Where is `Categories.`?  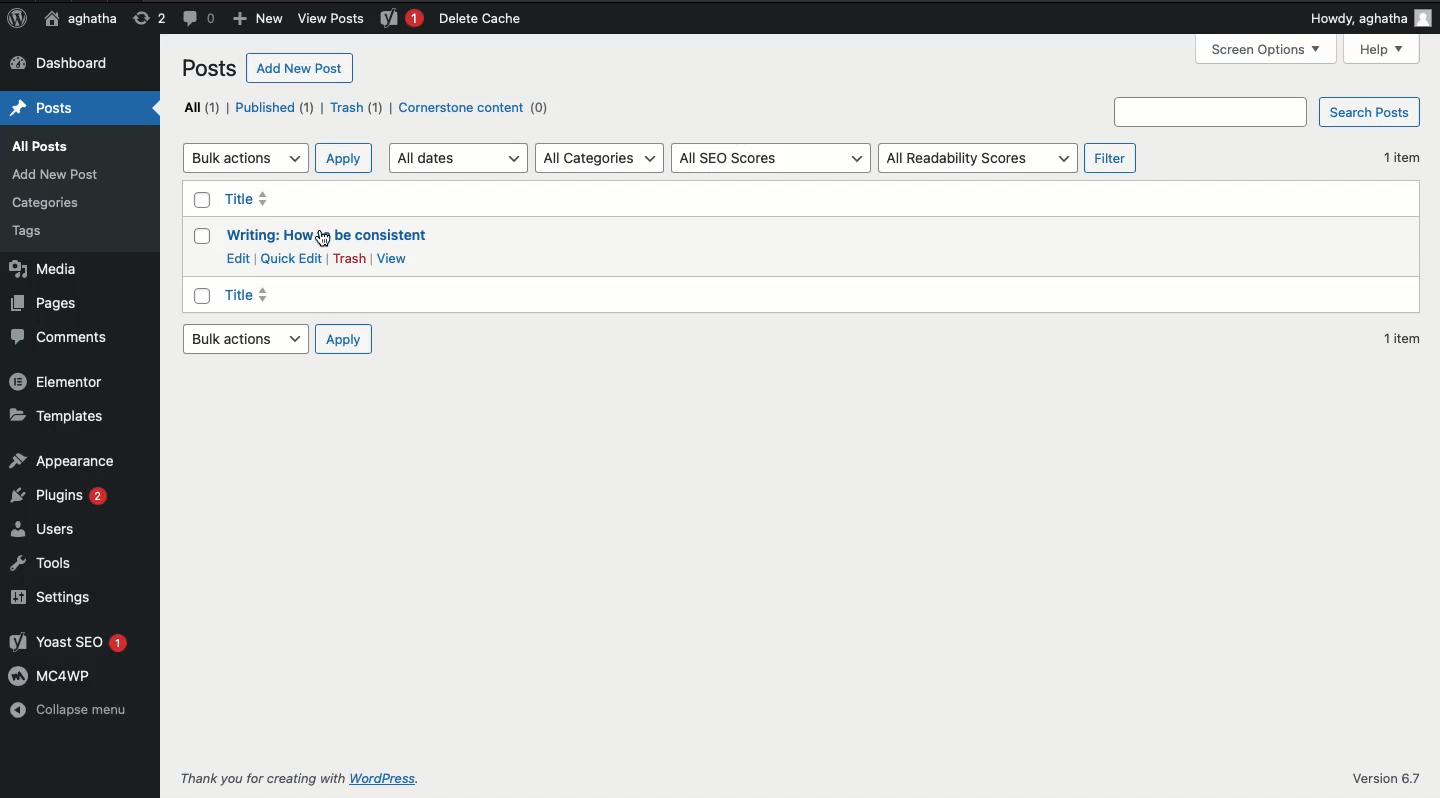 Categories. is located at coordinates (45, 202).